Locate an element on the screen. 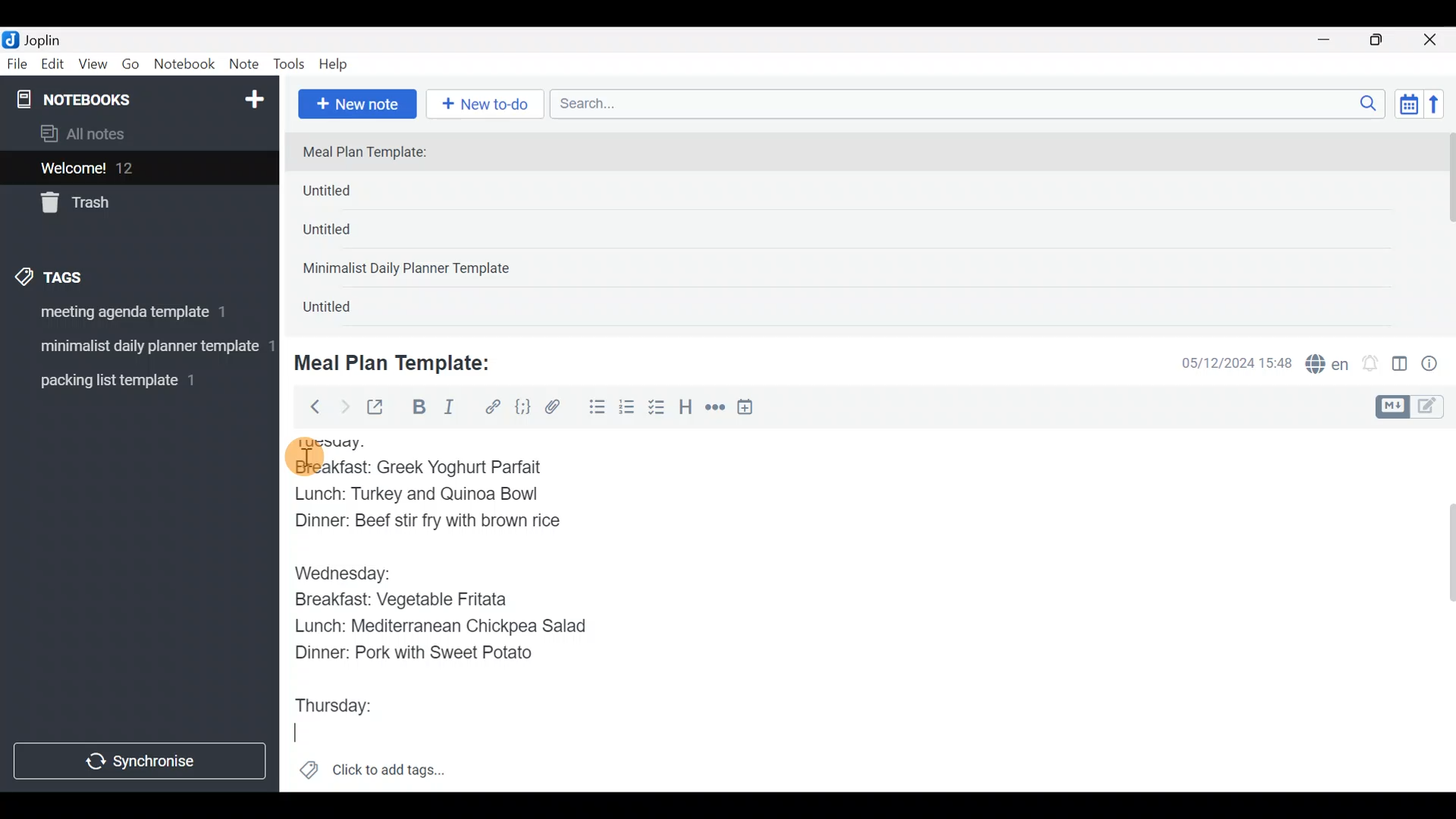  Tag 1 is located at coordinates (135, 316).